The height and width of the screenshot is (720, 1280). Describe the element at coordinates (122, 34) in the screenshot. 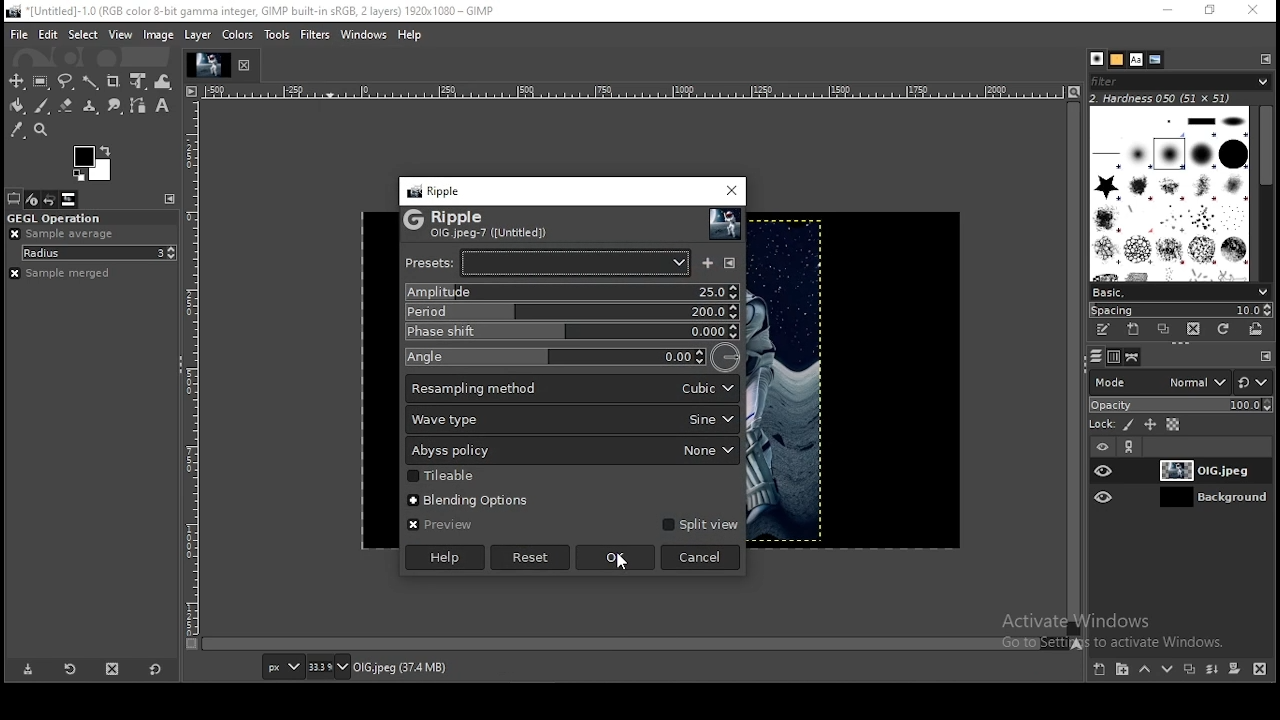

I see `view` at that location.